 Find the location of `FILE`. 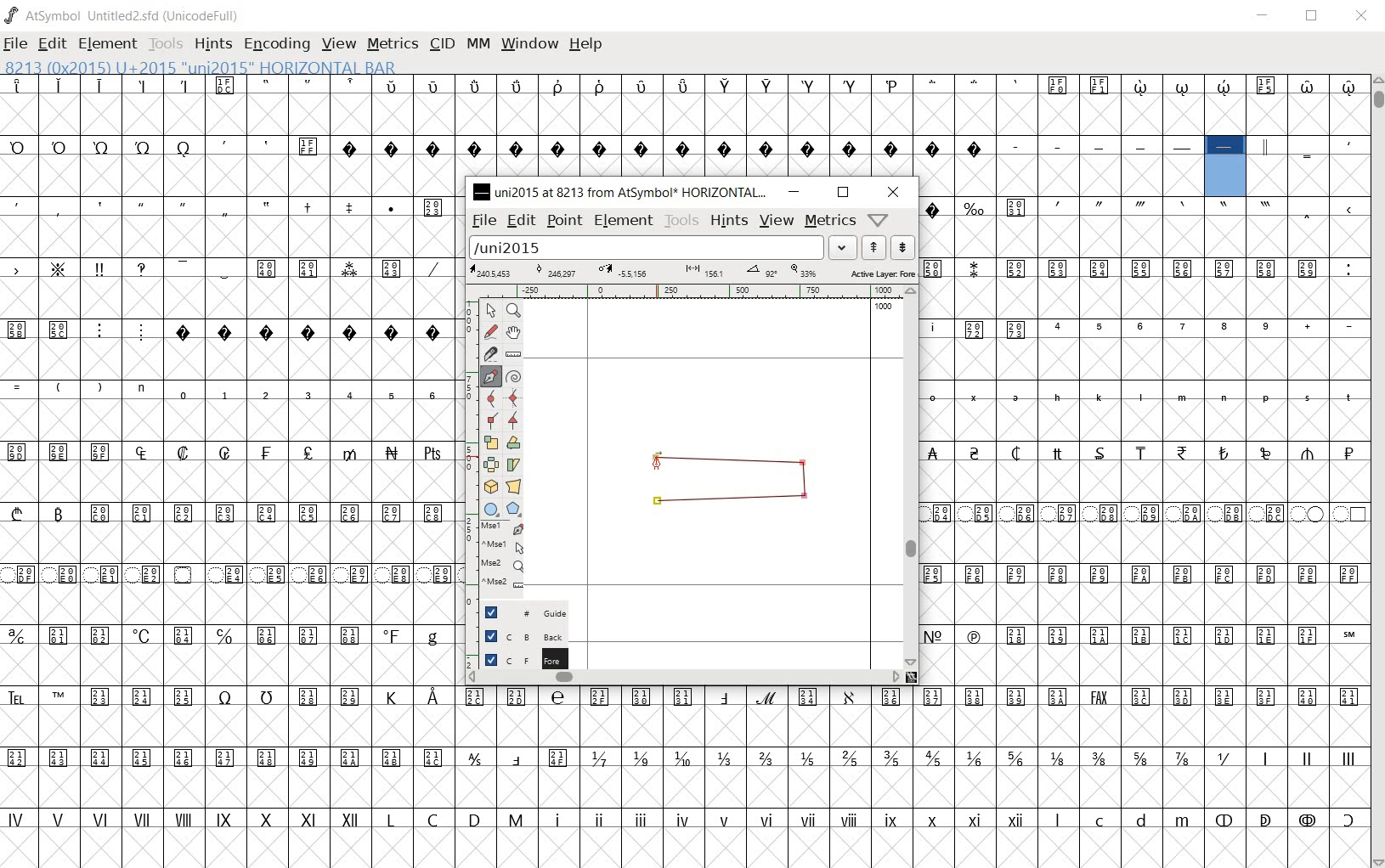

FILE is located at coordinates (18, 42).